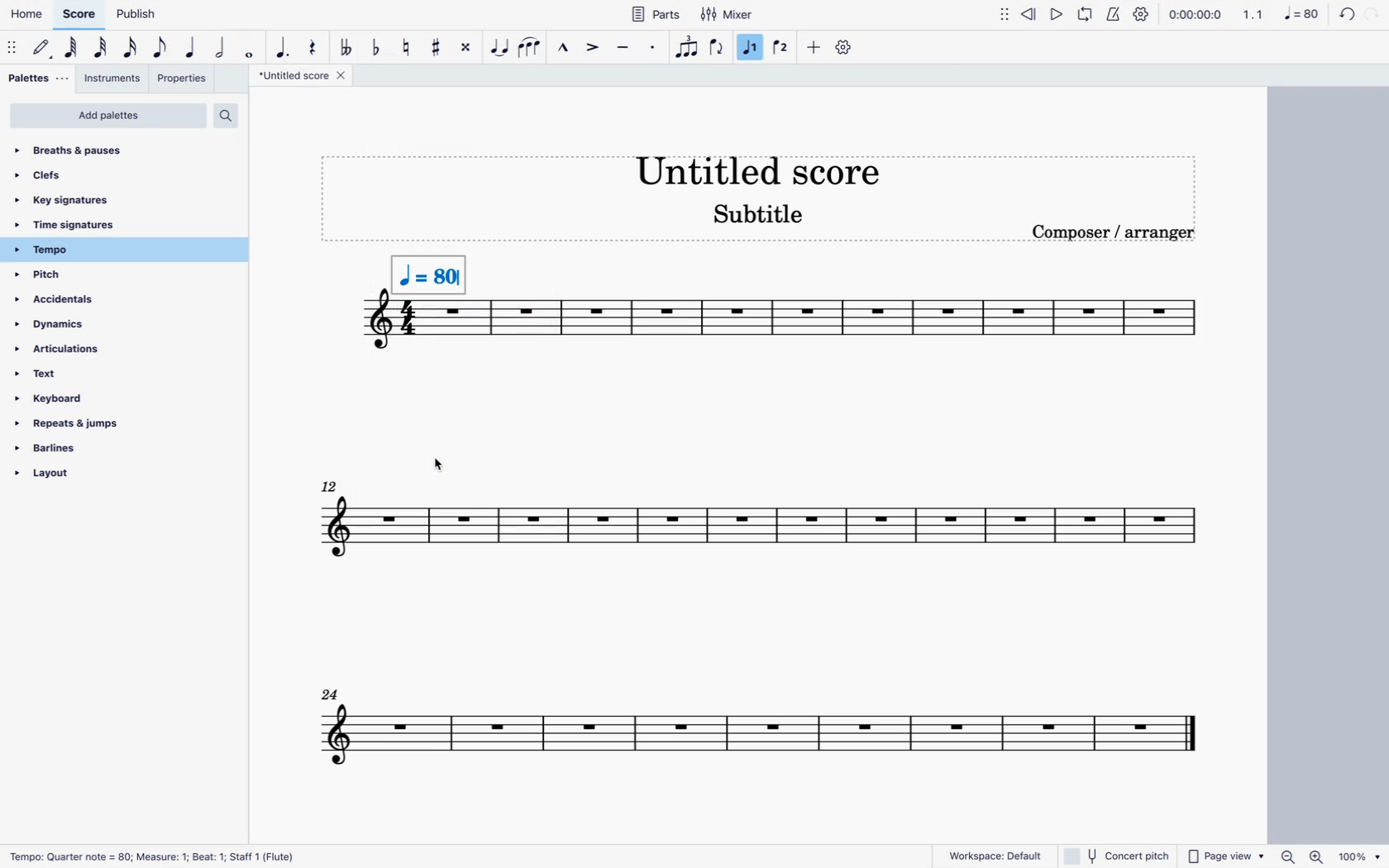 The image size is (1389, 868). What do you see at coordinates (67, 47) in the screenshot?
I see `64th note` at bounding box center [67, 47].